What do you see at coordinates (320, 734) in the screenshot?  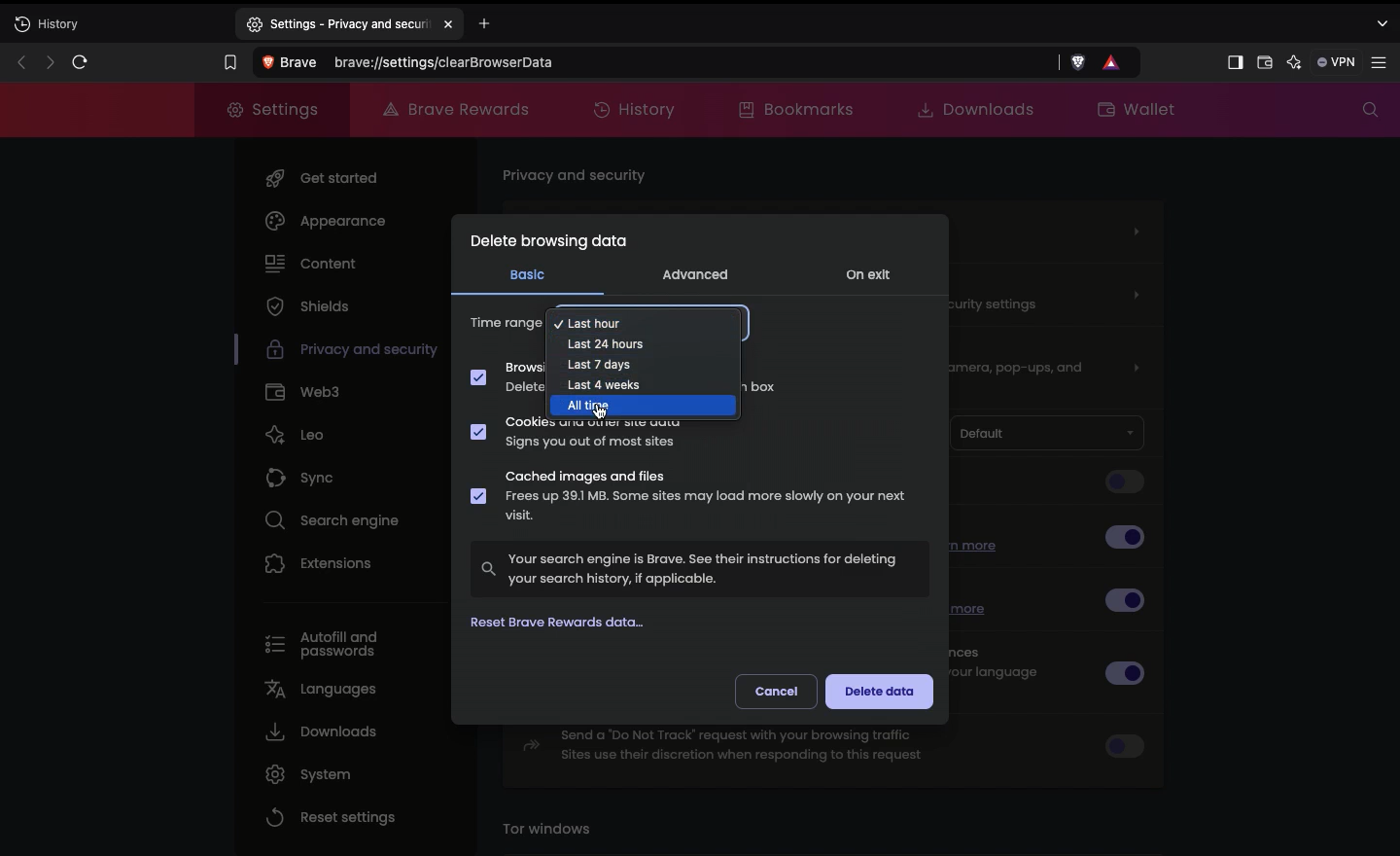 I see `Downloads` at bounding box center [320, 734].